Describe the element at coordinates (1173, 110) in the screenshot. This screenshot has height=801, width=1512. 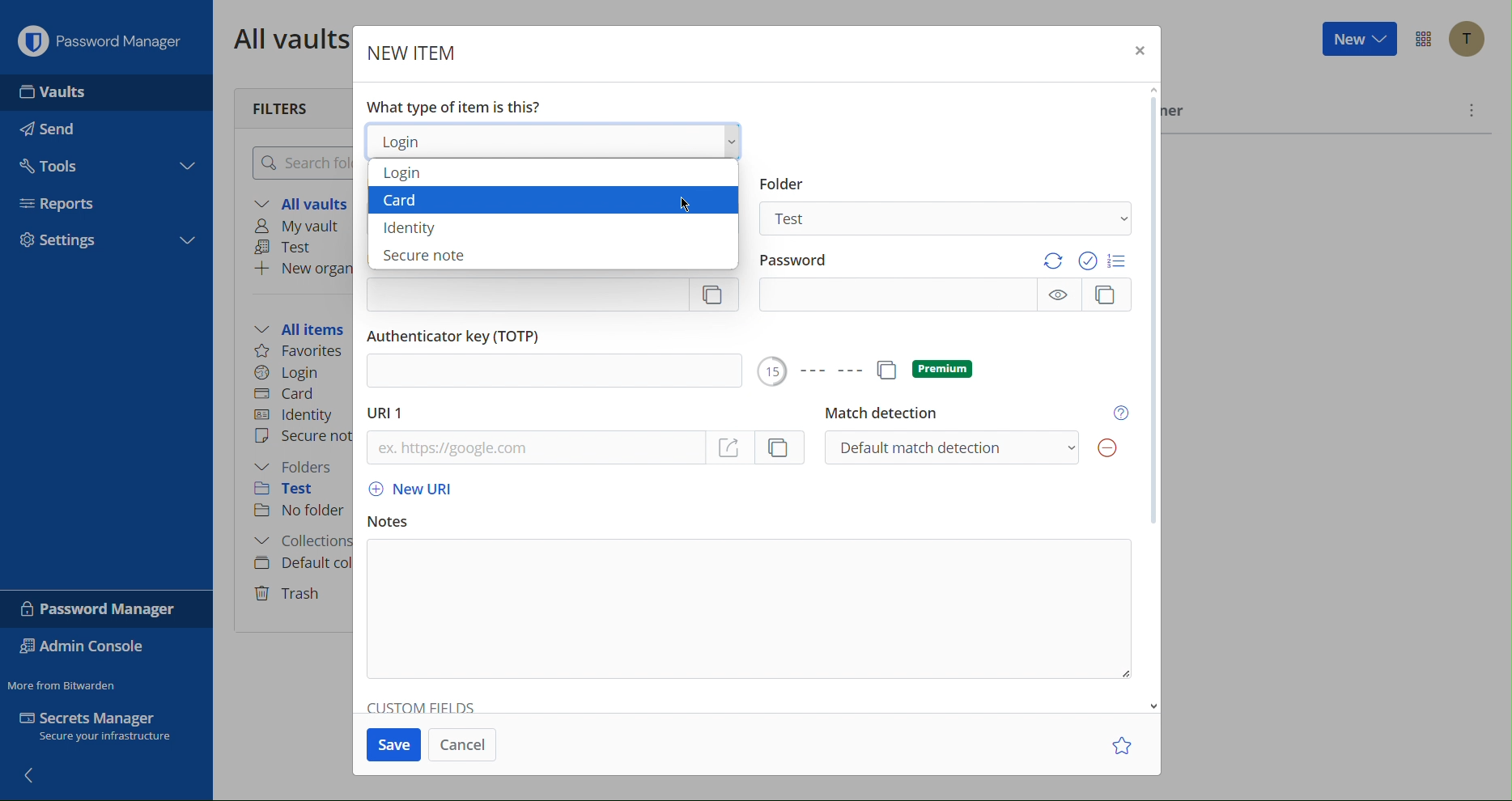
I see `Owner` at that location.